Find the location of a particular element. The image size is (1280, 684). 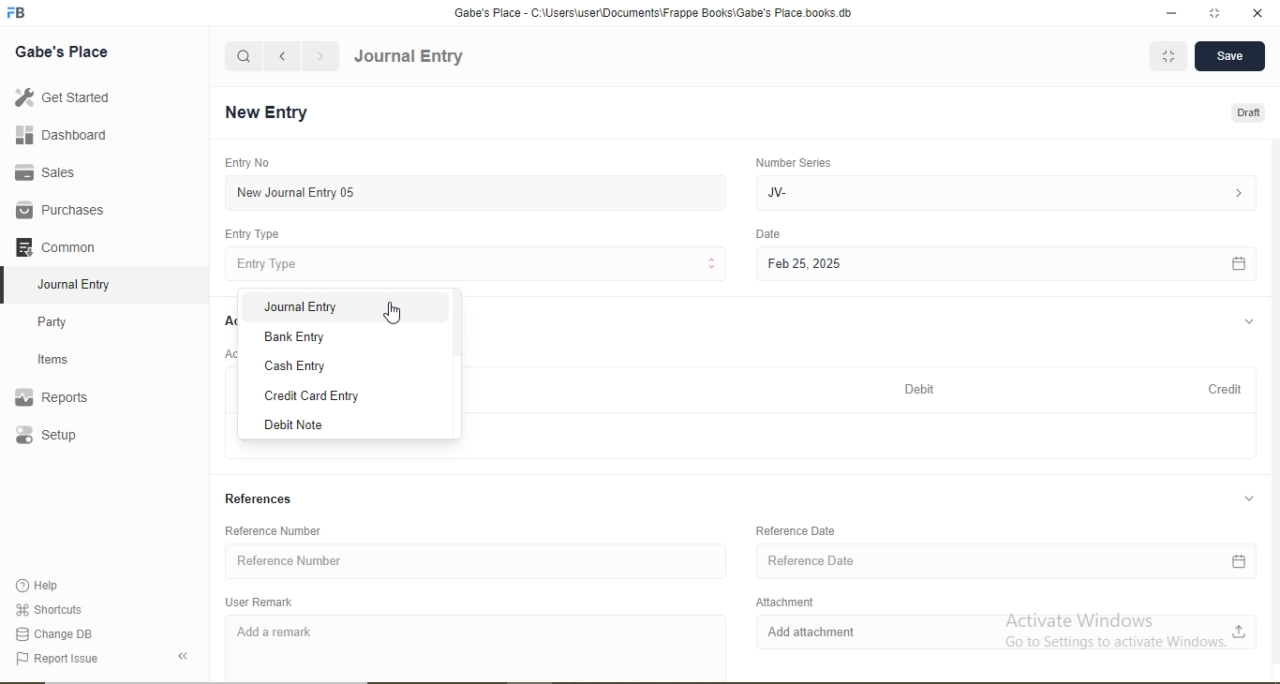

Journal Entry is located at coordinates (339, 307).